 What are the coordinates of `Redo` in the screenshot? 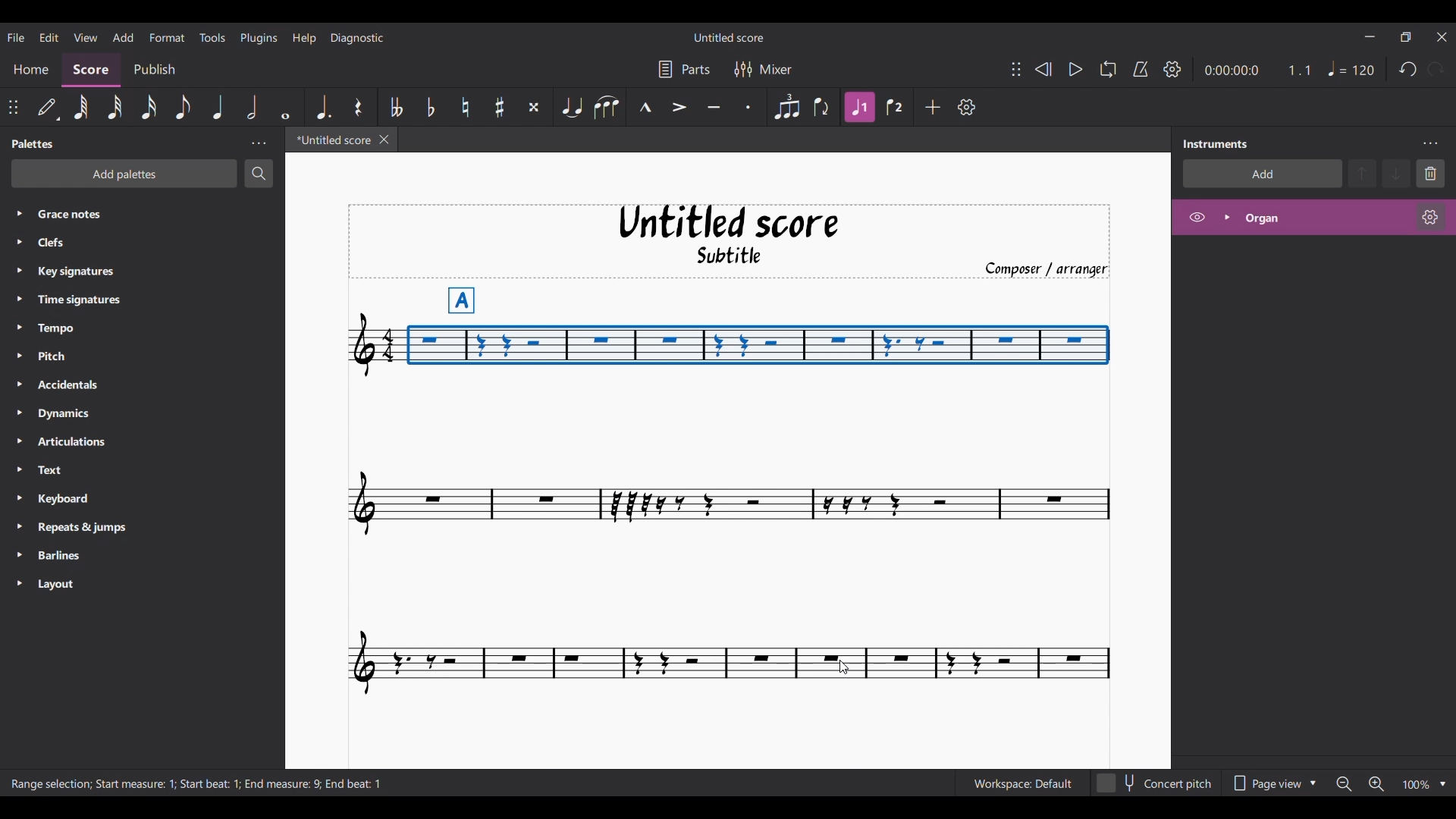 It's located at (1436, 69).